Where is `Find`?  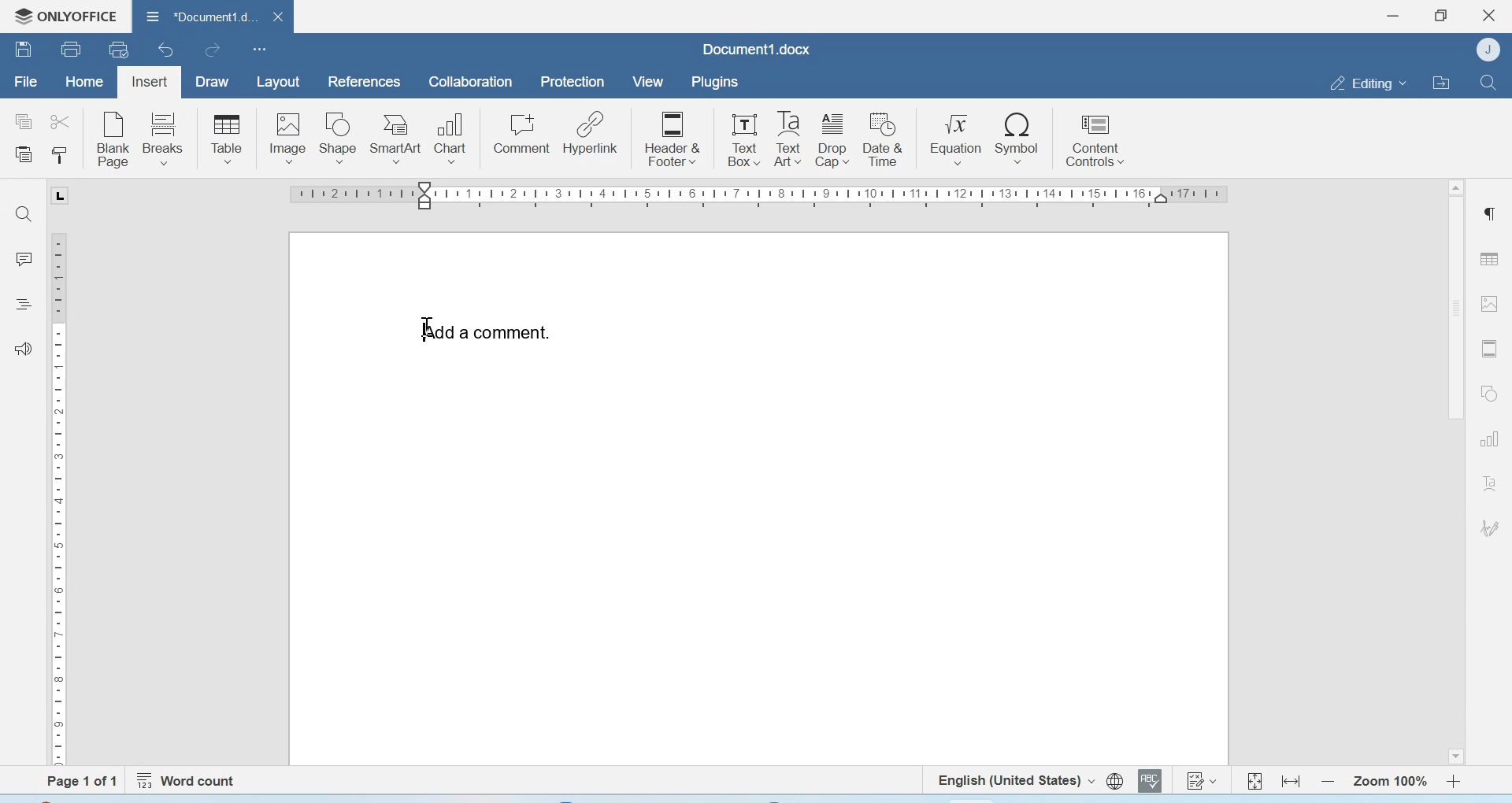
Find is located at coordinates (1487, 82).